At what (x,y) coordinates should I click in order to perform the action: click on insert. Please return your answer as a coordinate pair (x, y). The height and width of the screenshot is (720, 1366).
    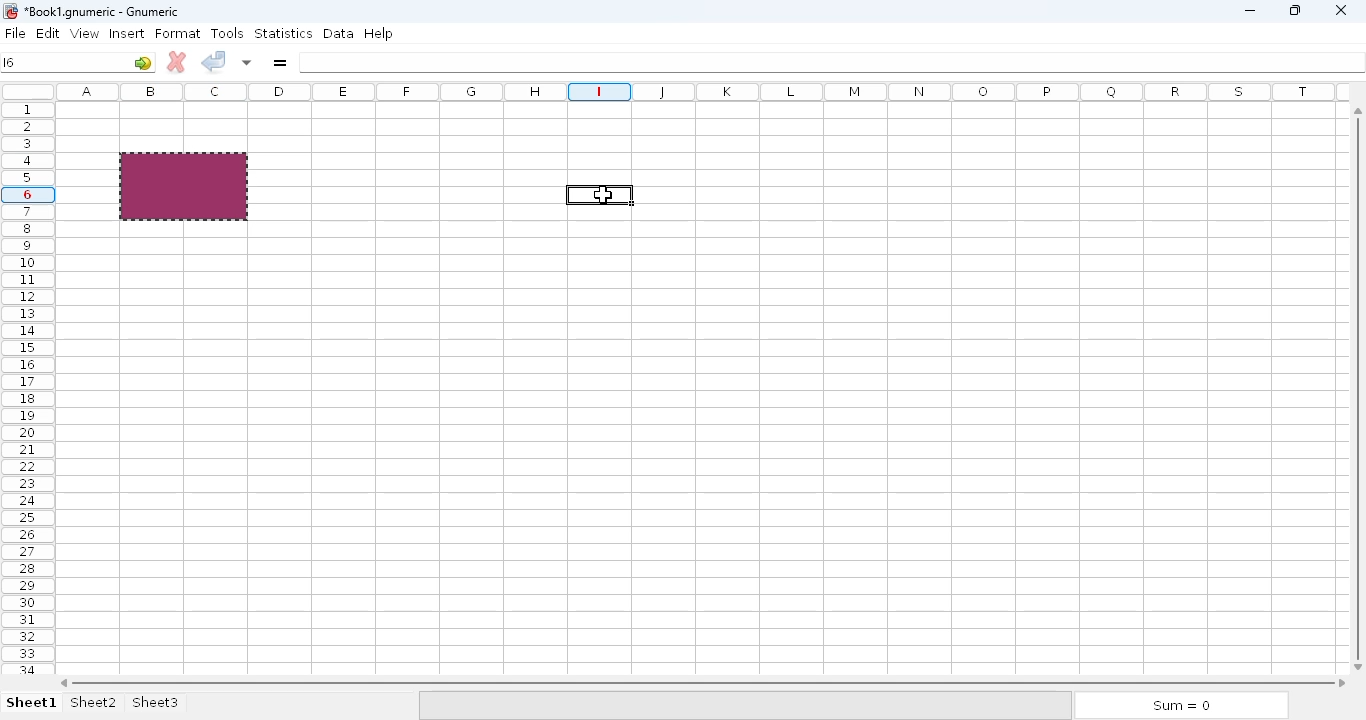
    Looking at the image, I should click on (126, 33).